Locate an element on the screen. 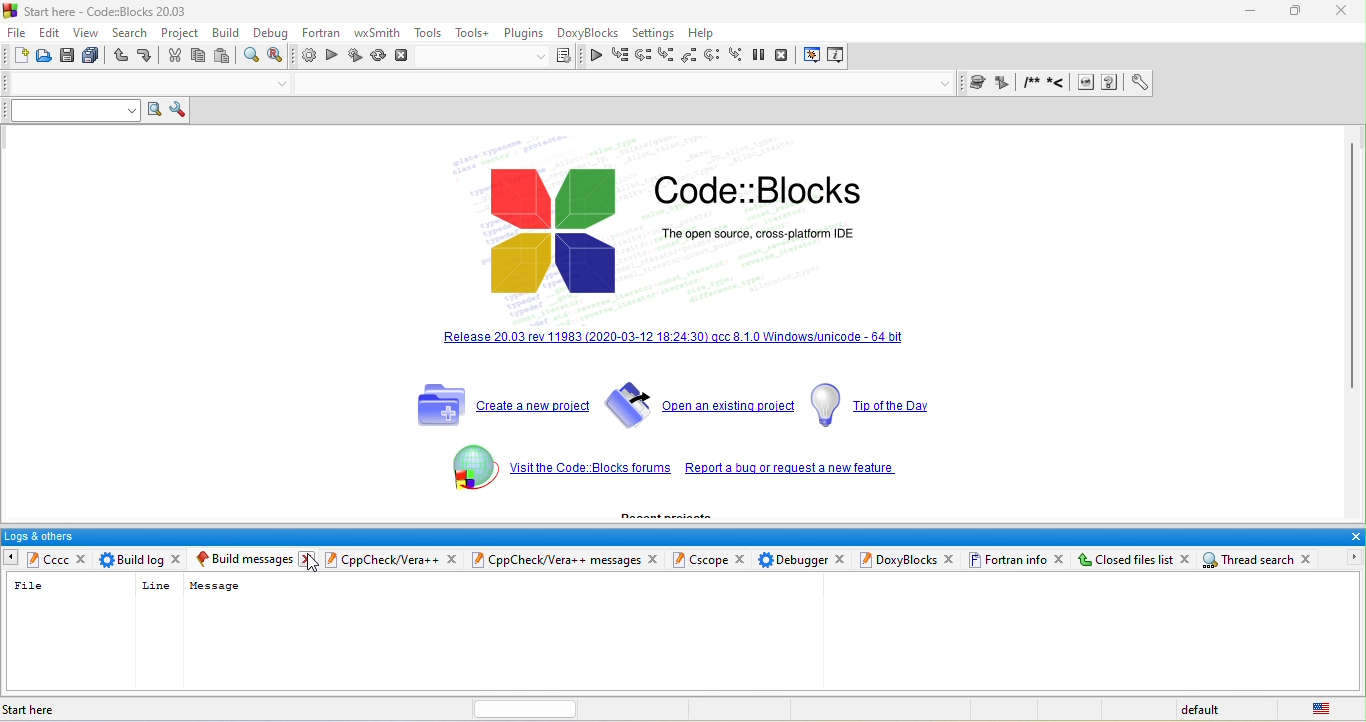 Image resolution: width=1366 pixels, height=722 pixels. cscope is located at coordinates (701, 560).